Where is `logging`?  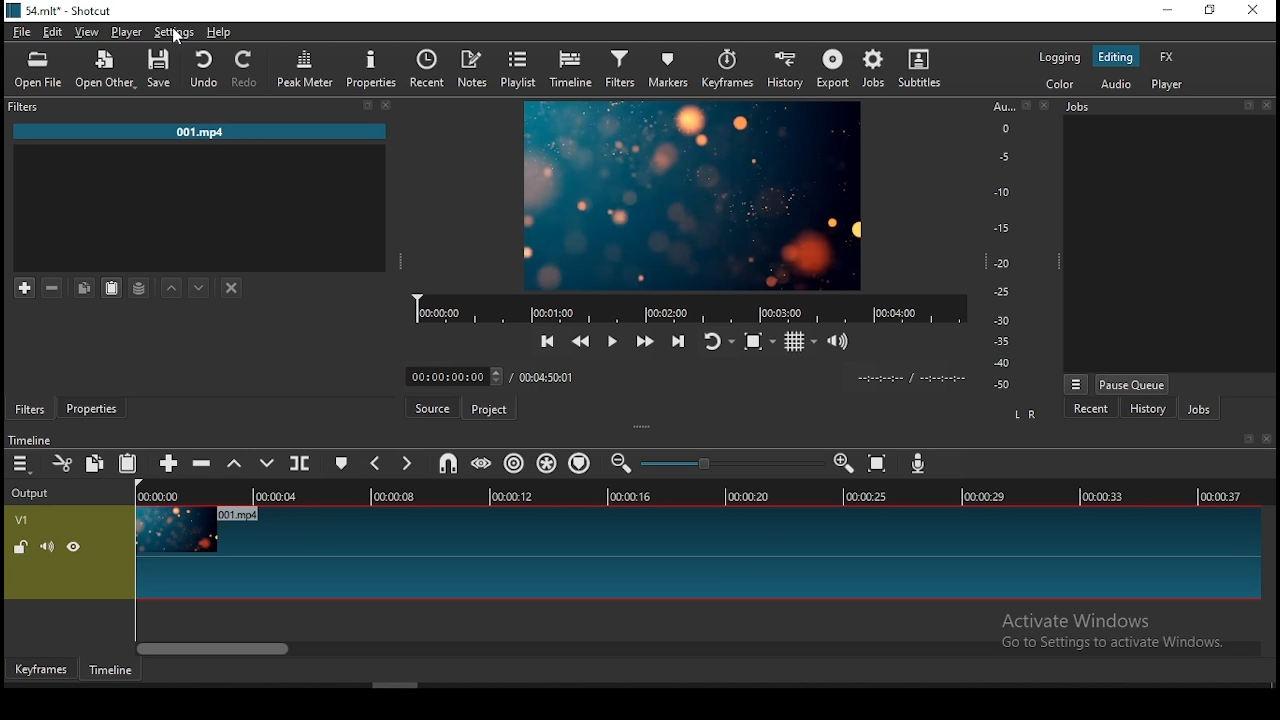 logging is located at coordinates (1059, 56).